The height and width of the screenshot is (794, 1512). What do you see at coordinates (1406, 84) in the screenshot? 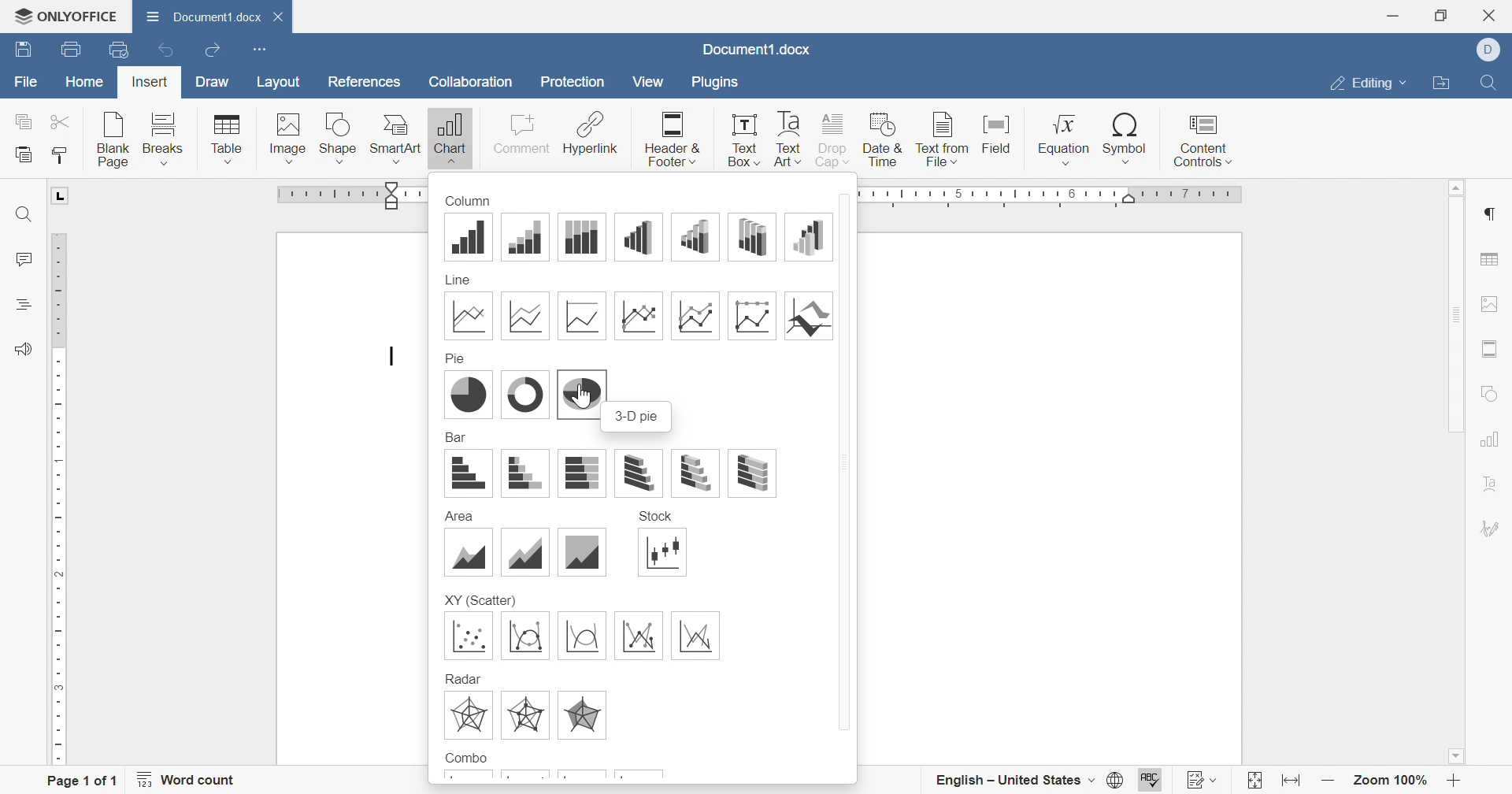
I see `Drop Down` at bounding box center [1406, 84].